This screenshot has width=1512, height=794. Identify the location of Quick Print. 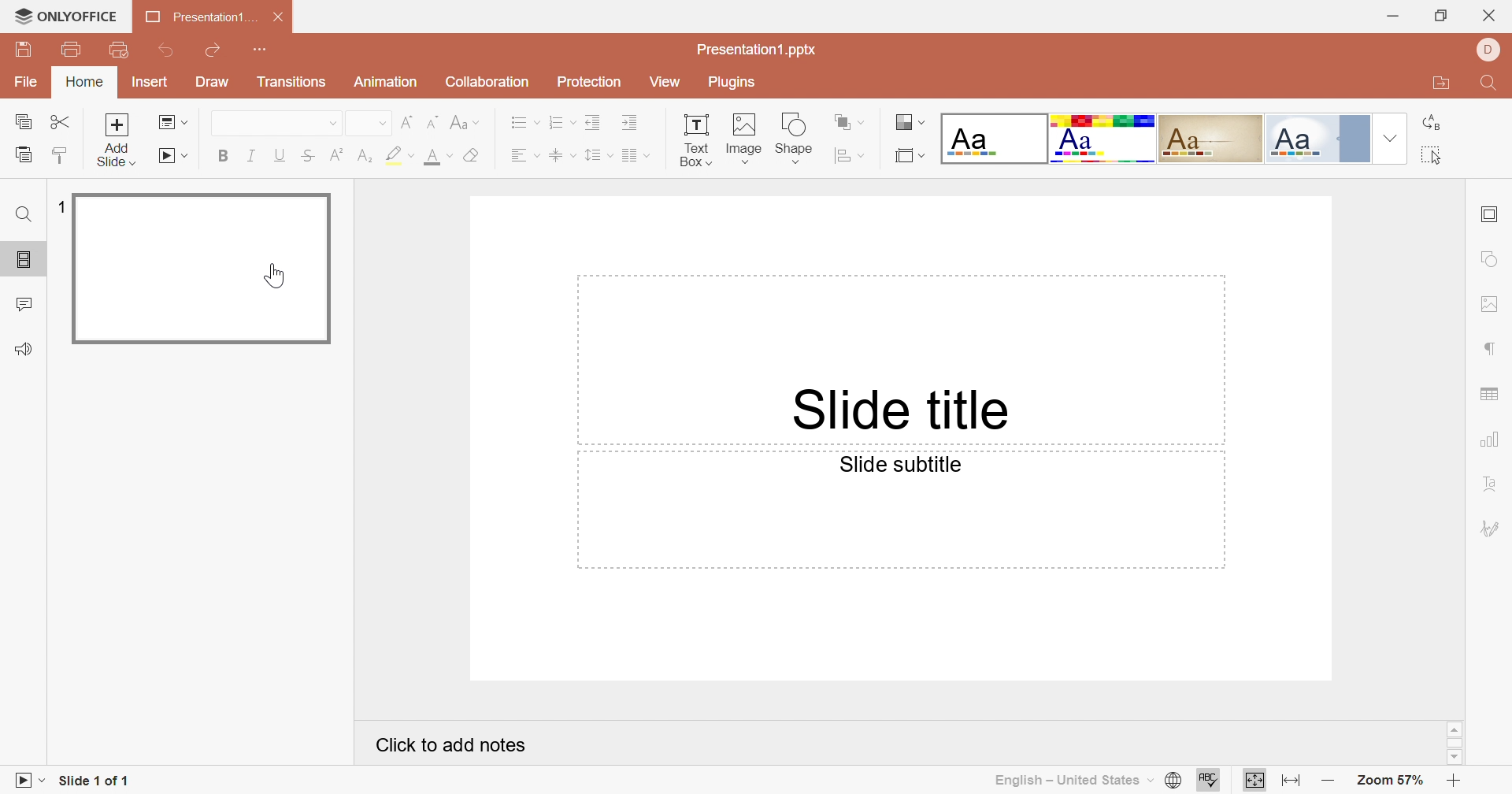
(120, 50).